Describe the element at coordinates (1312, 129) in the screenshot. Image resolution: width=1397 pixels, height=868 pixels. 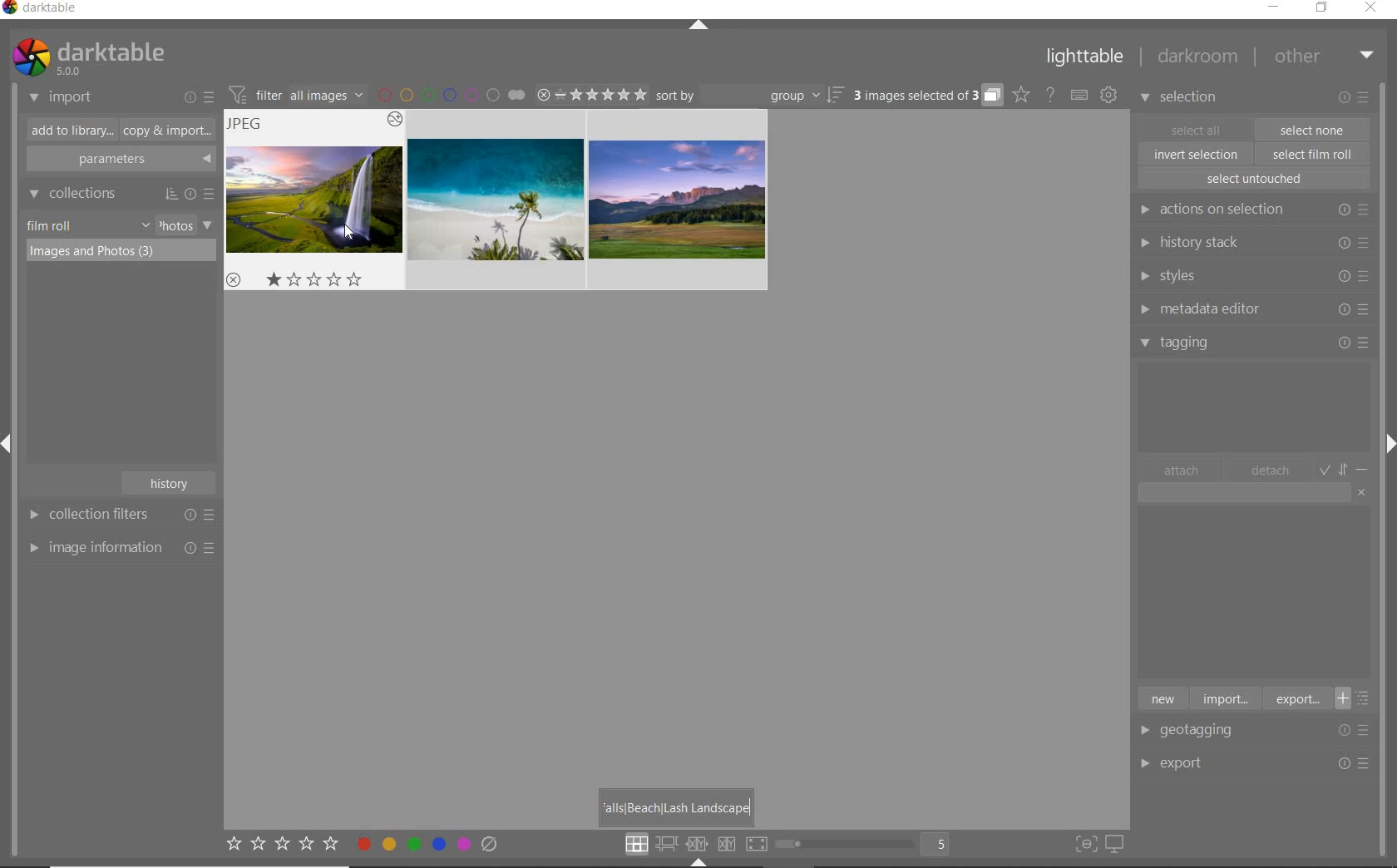
I see `select one` at that location.